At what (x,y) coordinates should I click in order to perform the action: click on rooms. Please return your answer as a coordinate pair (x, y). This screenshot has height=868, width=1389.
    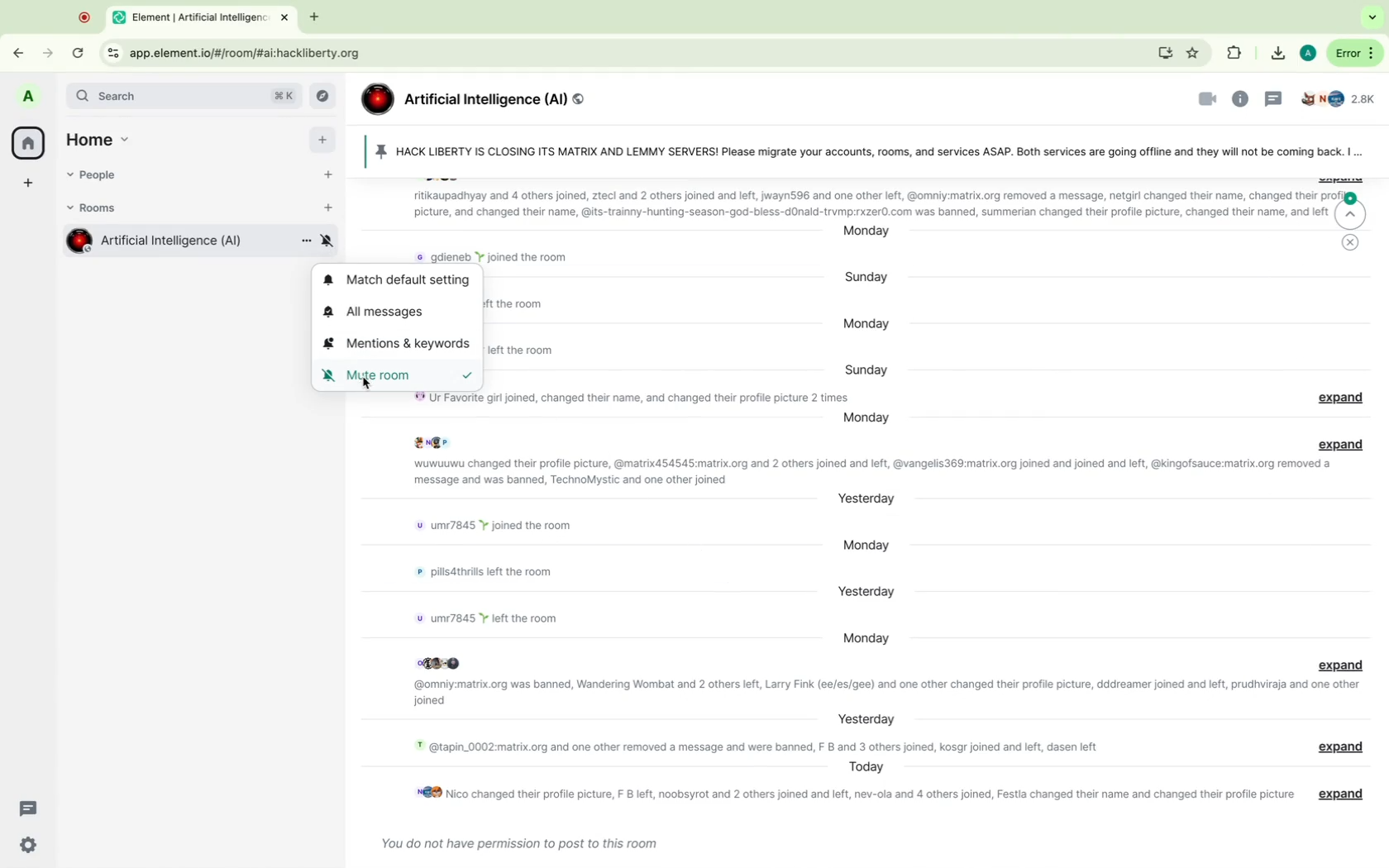
    Looking at the image, I should click on (107, 209).